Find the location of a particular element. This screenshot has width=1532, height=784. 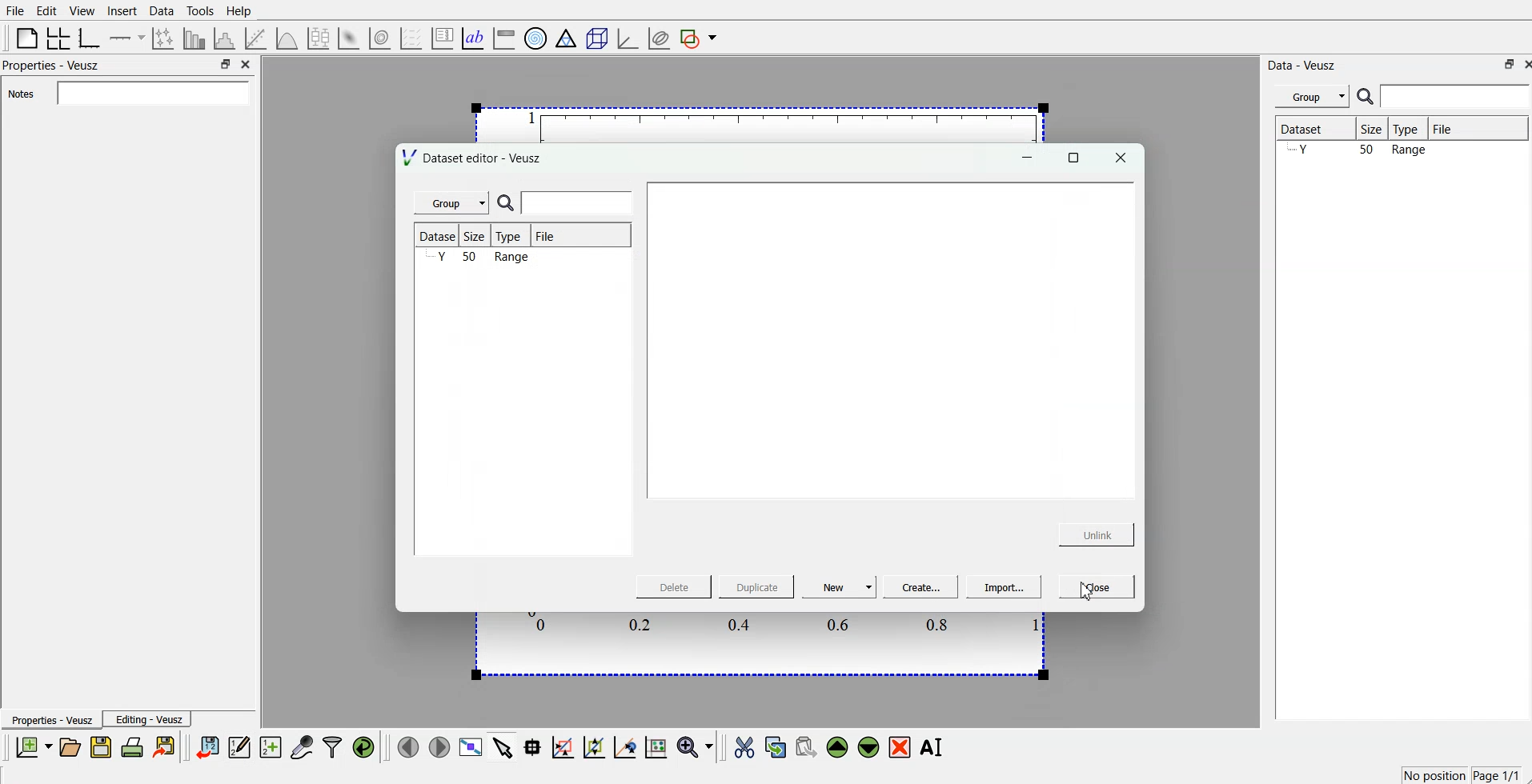

Notes field is located at coordinates (151, 92).